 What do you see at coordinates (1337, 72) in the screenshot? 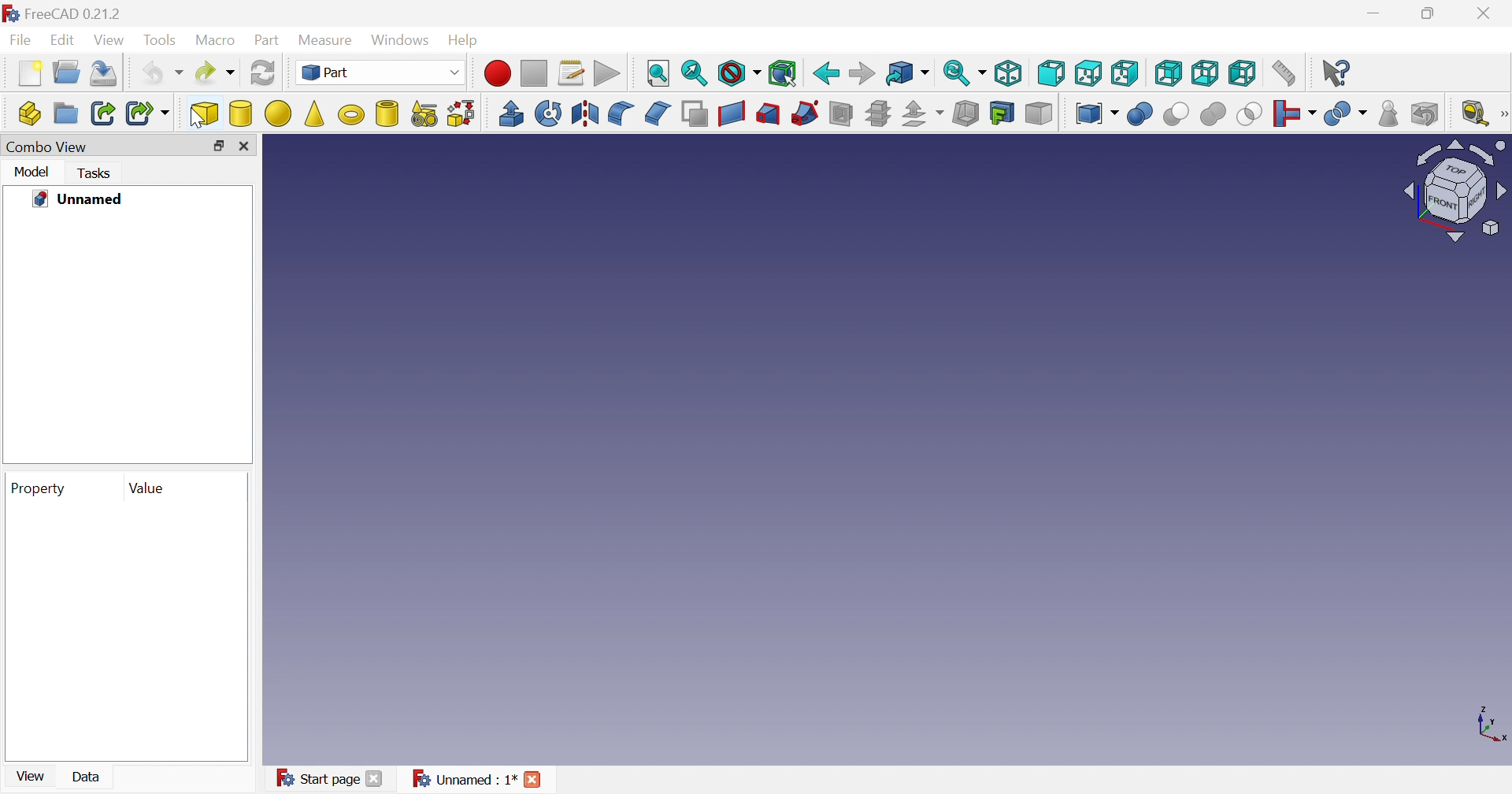
I see `What's this?` at bounding box center [1337, 72].